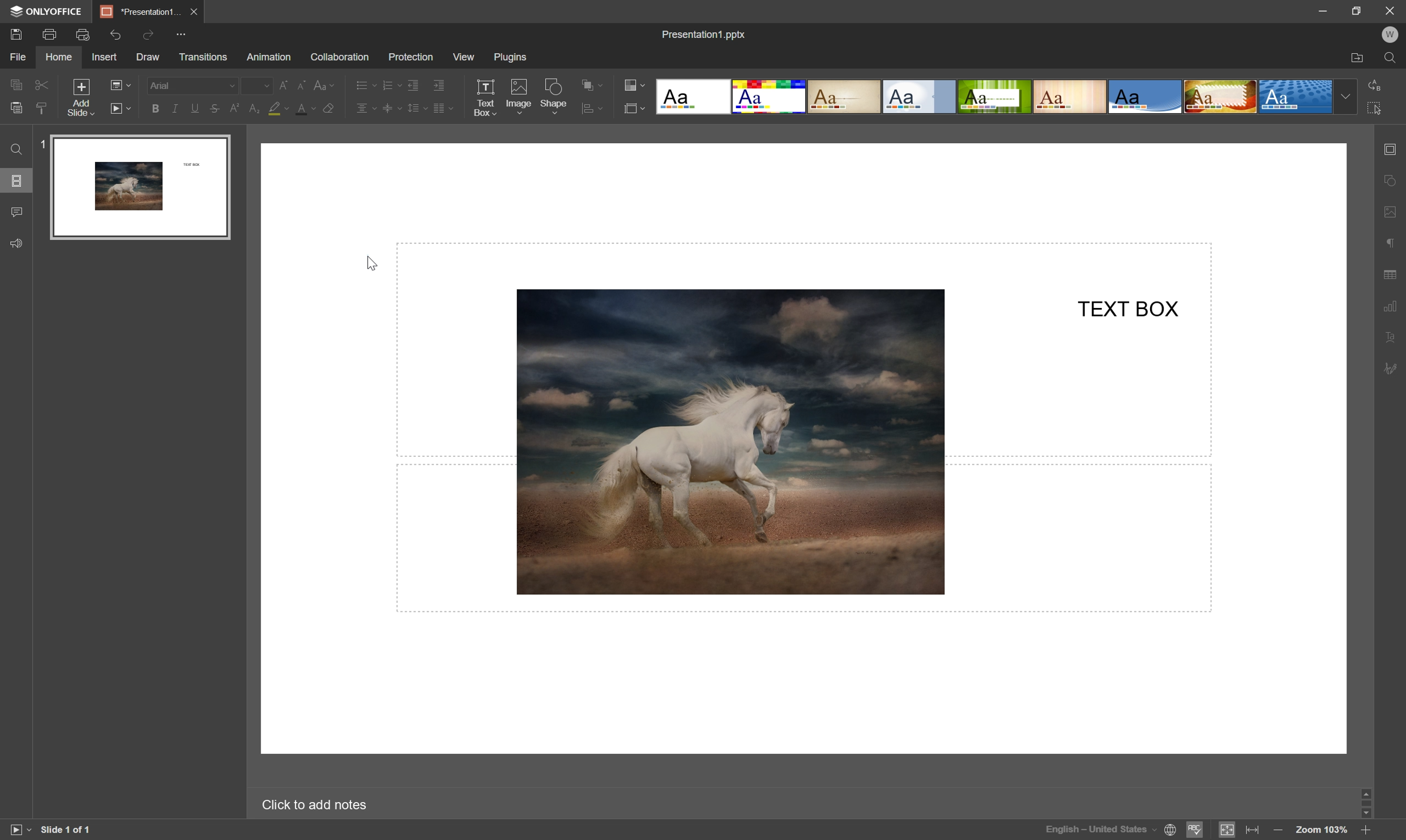 Image resolution: width=1406 pixels, height=840 pixels. I want to click on presentation1..., so click(139, 10).